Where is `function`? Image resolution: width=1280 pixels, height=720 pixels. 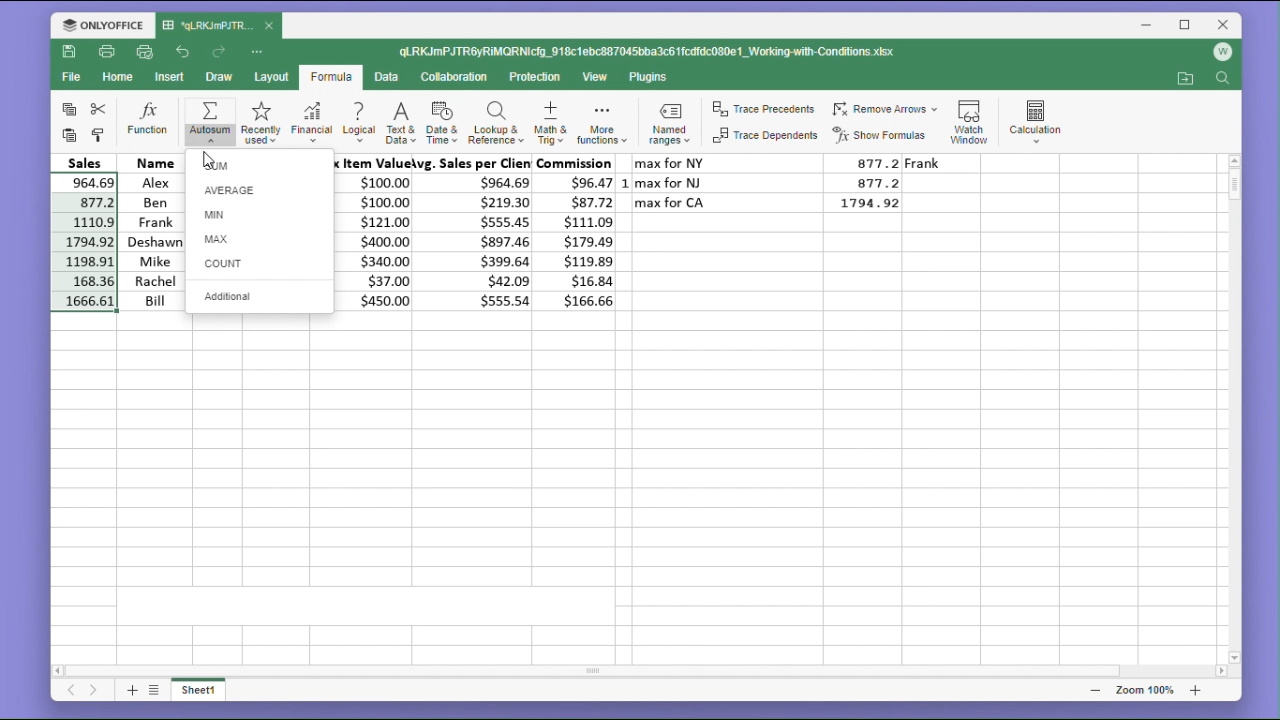 function is located at coordinates (148, 120).